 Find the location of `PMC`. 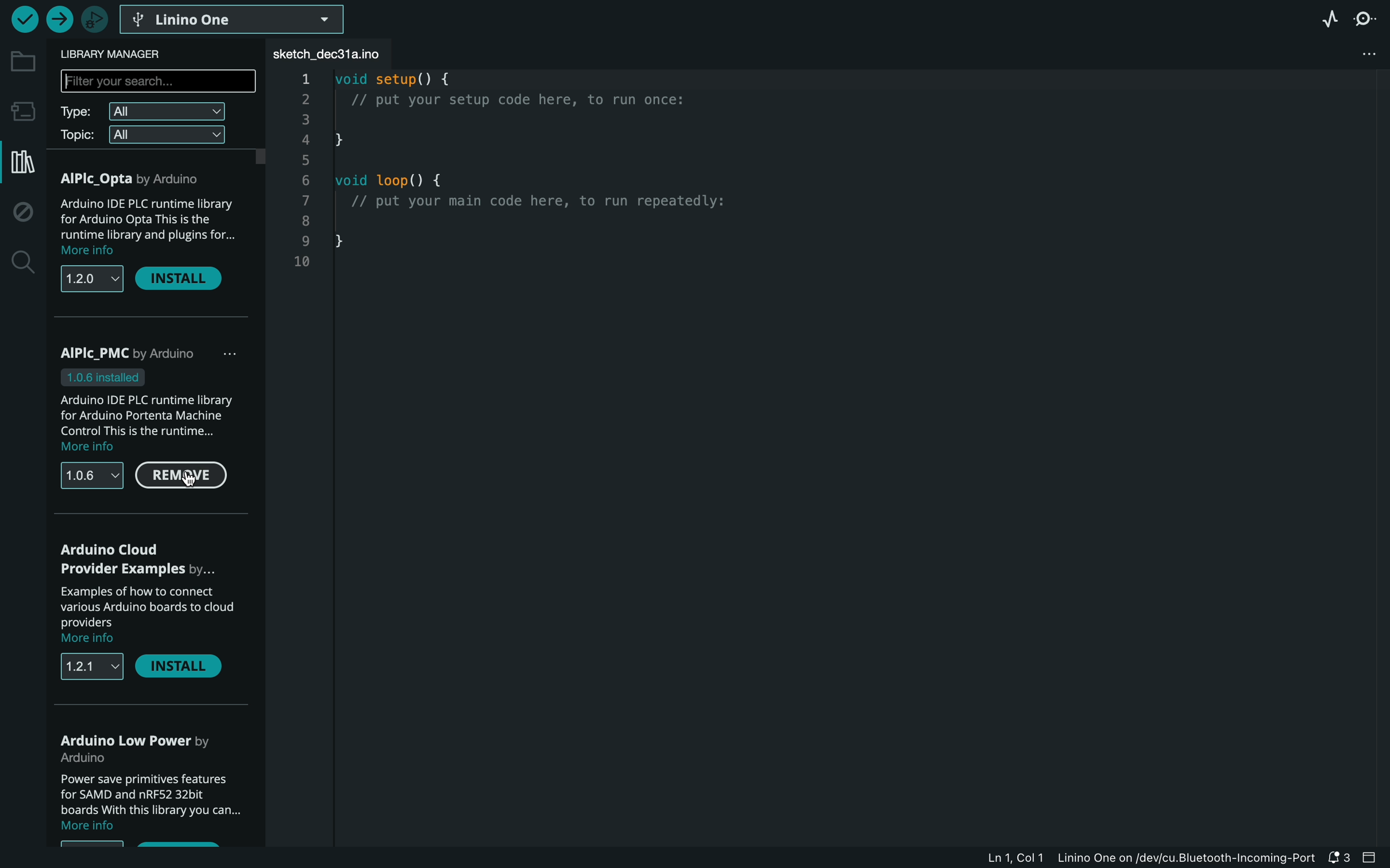

PMC is located at coordinates (152, 363).